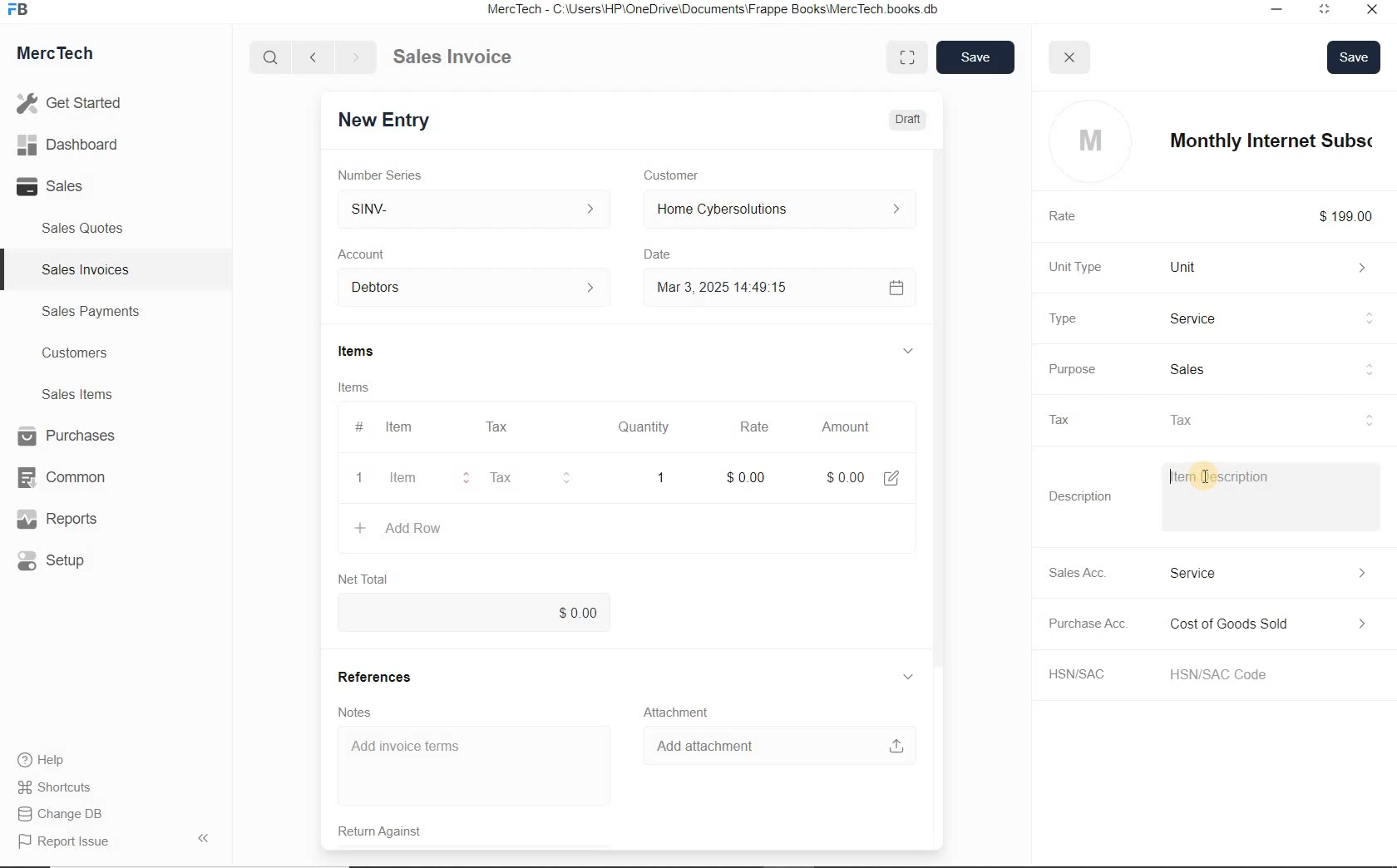  I want to click on Amount, so click(842, 427).